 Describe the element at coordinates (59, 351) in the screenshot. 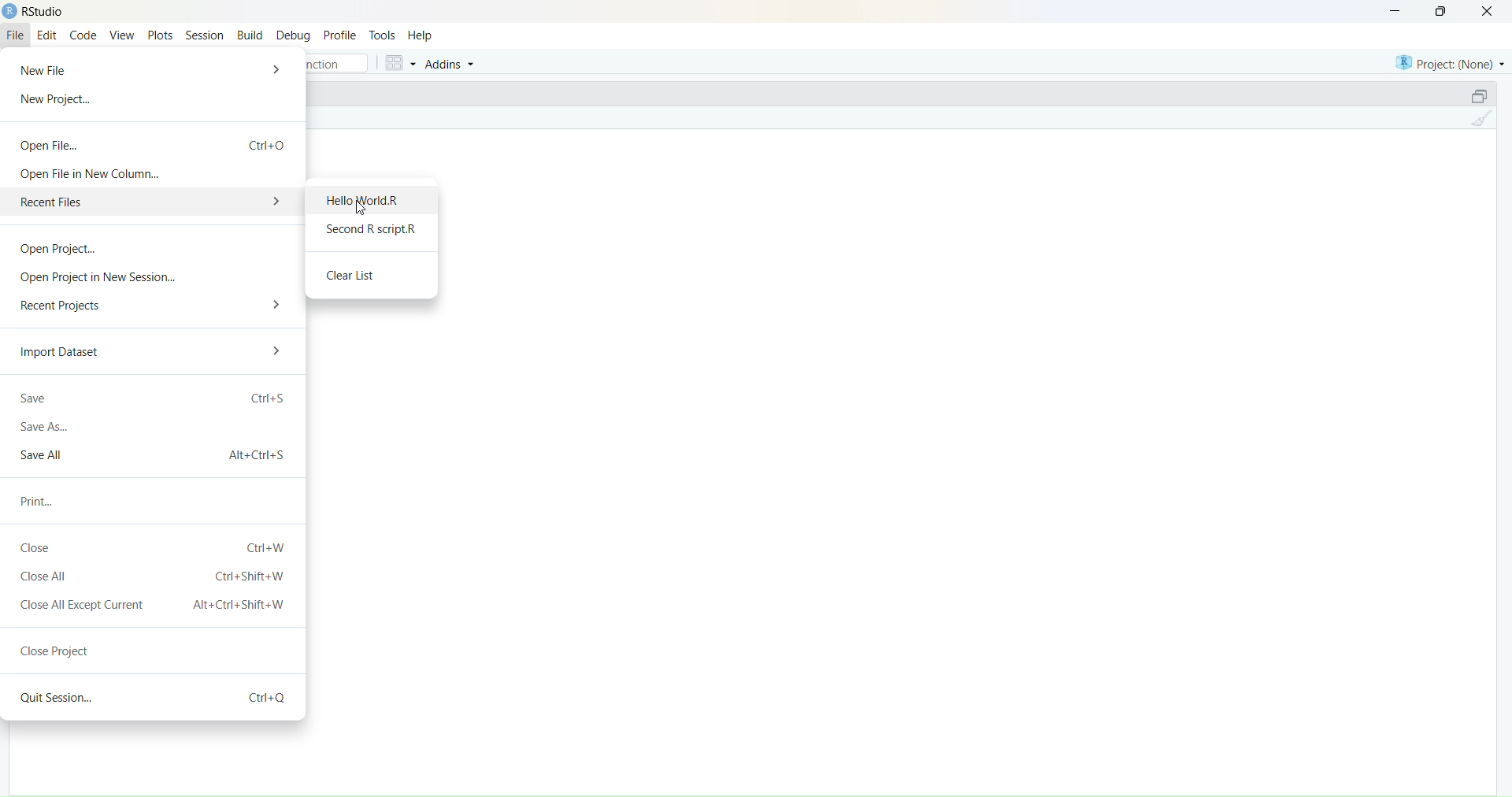

I see `Import Dataset` at that location.